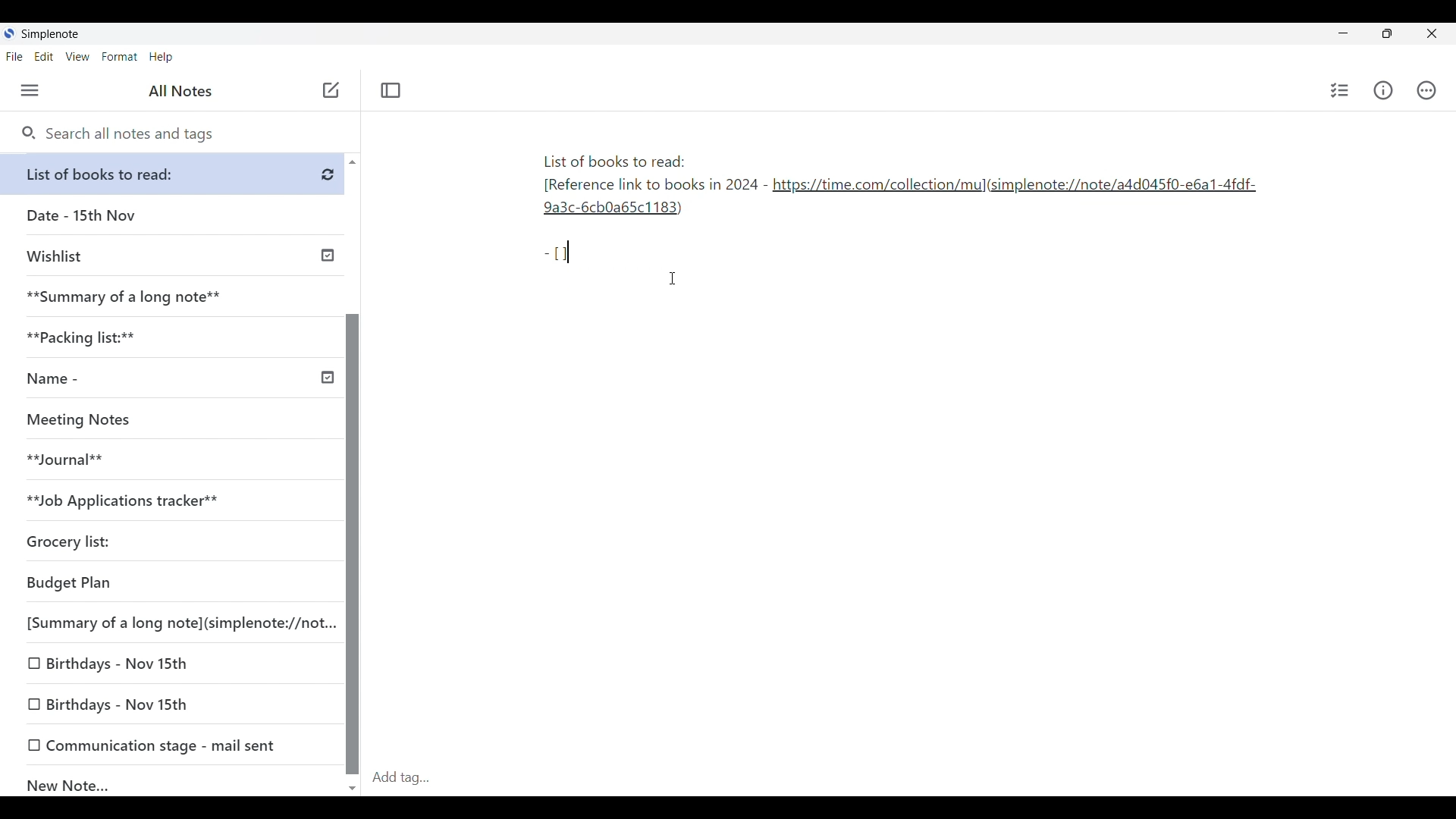 The width and height of the screenshot is (1456, 819). Describe the element at coordinates (564, 251) in the screenshot. I see `-[]` at that location.